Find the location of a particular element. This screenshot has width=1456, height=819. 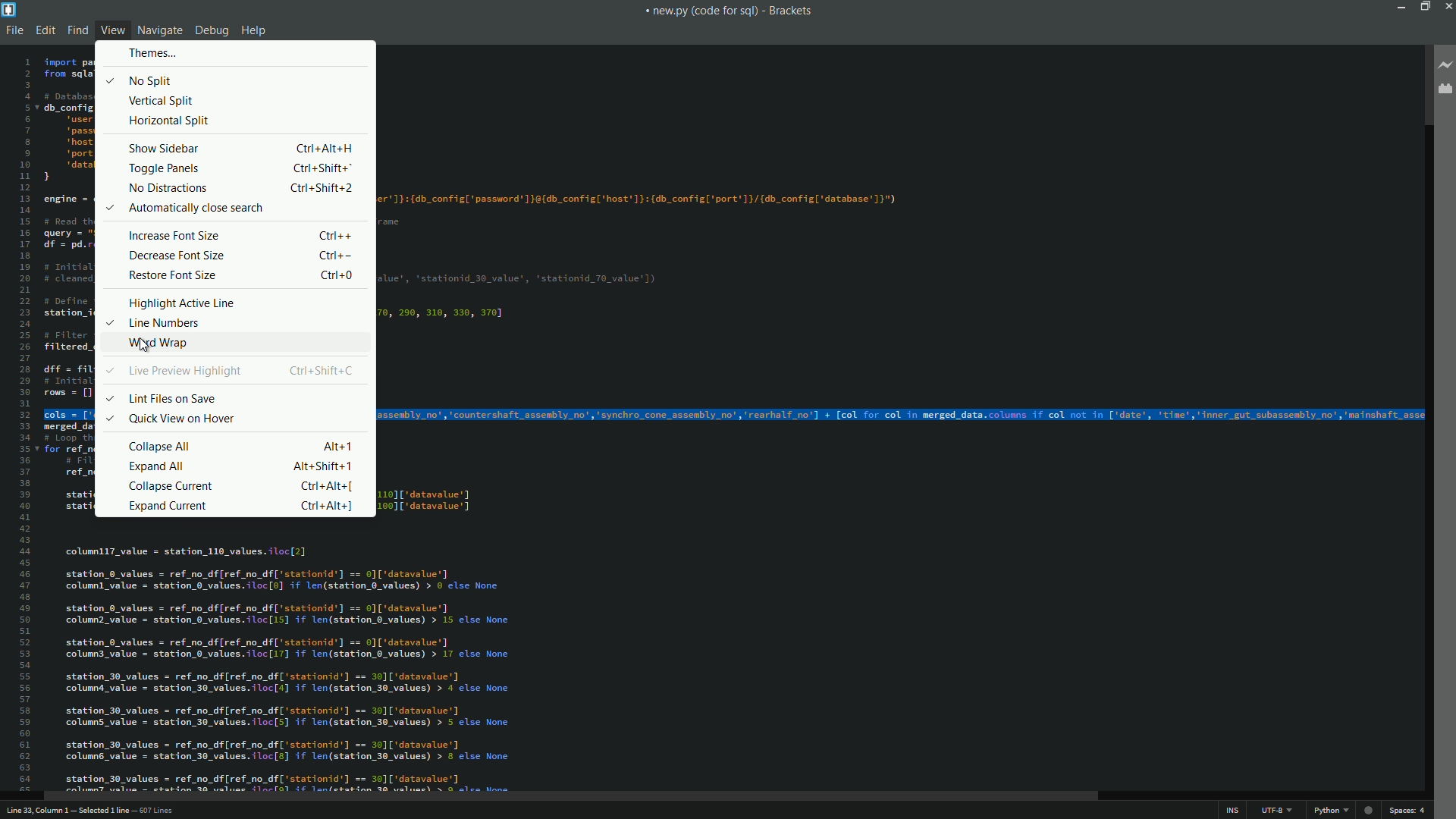

expand current is located at coordinates (166, 507).